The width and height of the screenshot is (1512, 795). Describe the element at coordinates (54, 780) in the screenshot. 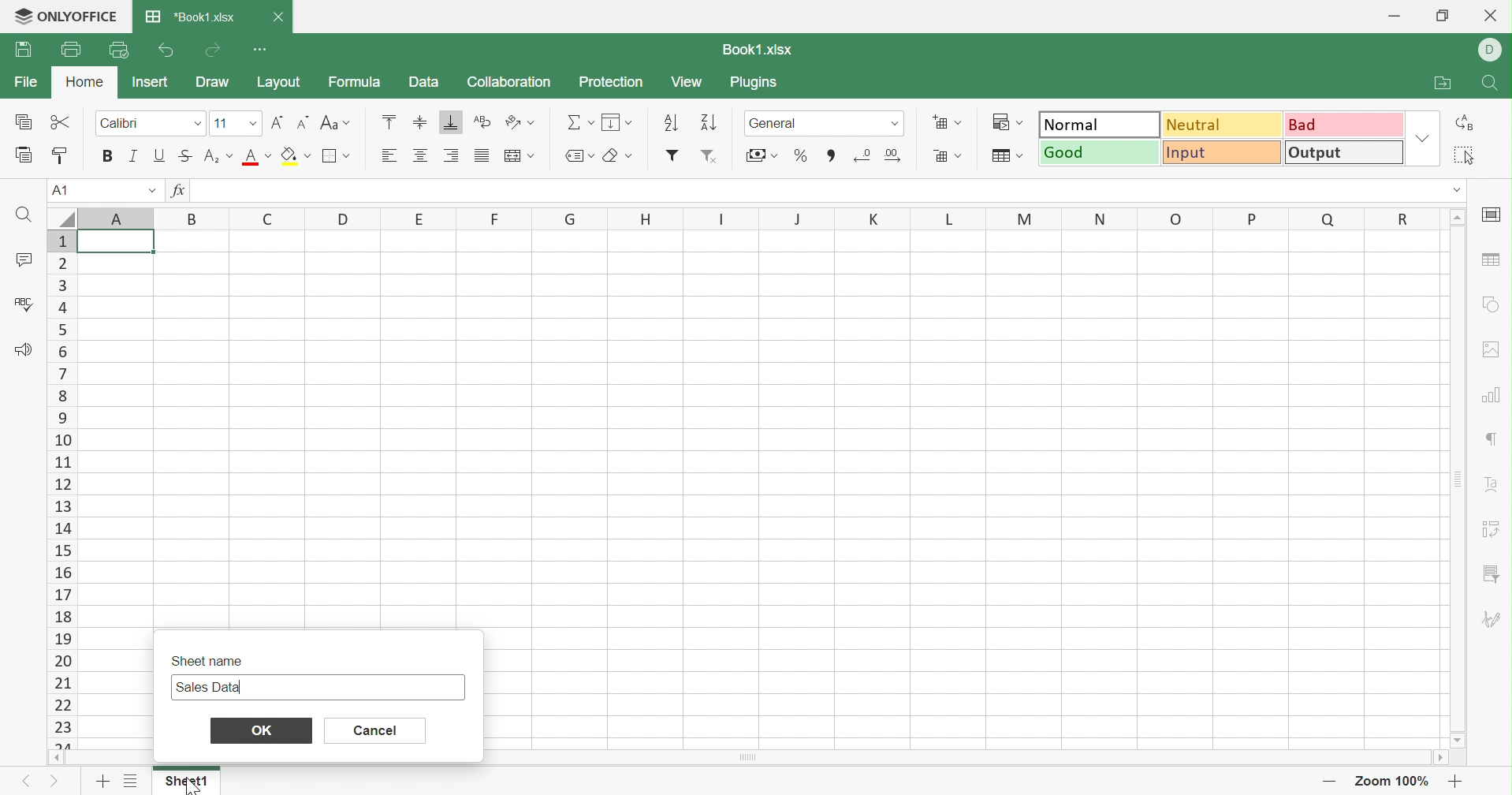

I see `Next` at that location.